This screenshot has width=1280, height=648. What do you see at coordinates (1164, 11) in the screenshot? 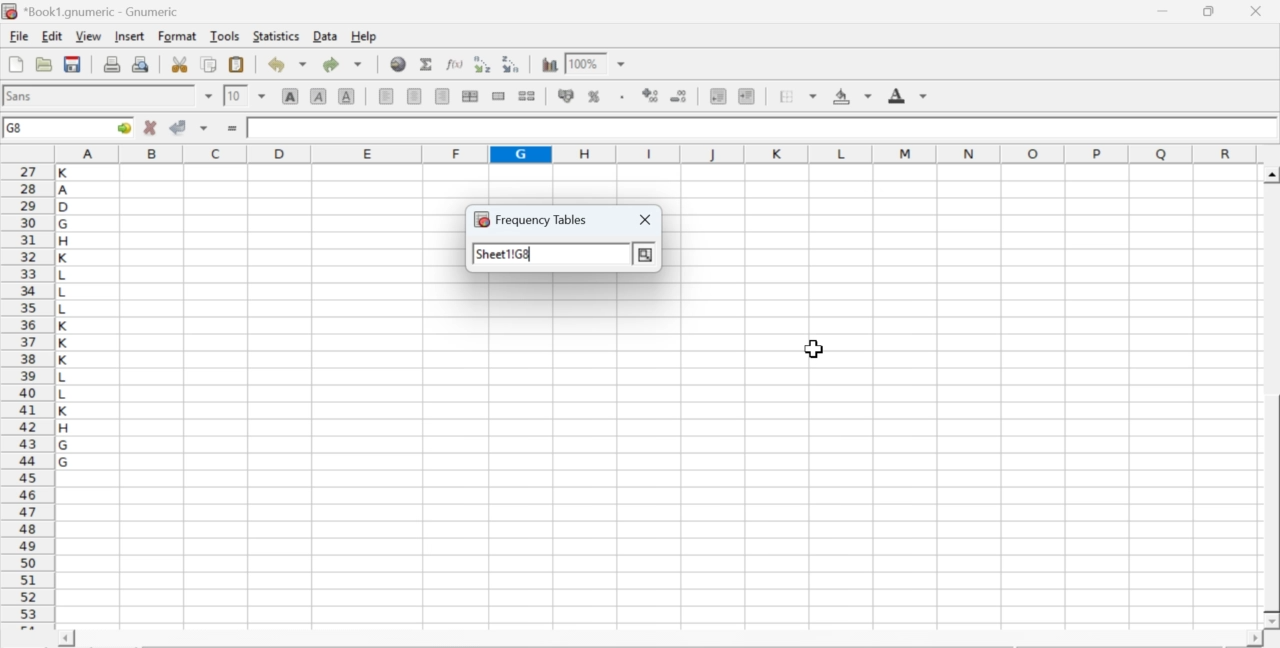
I see `minimize` at bounding box center [1164, 11].